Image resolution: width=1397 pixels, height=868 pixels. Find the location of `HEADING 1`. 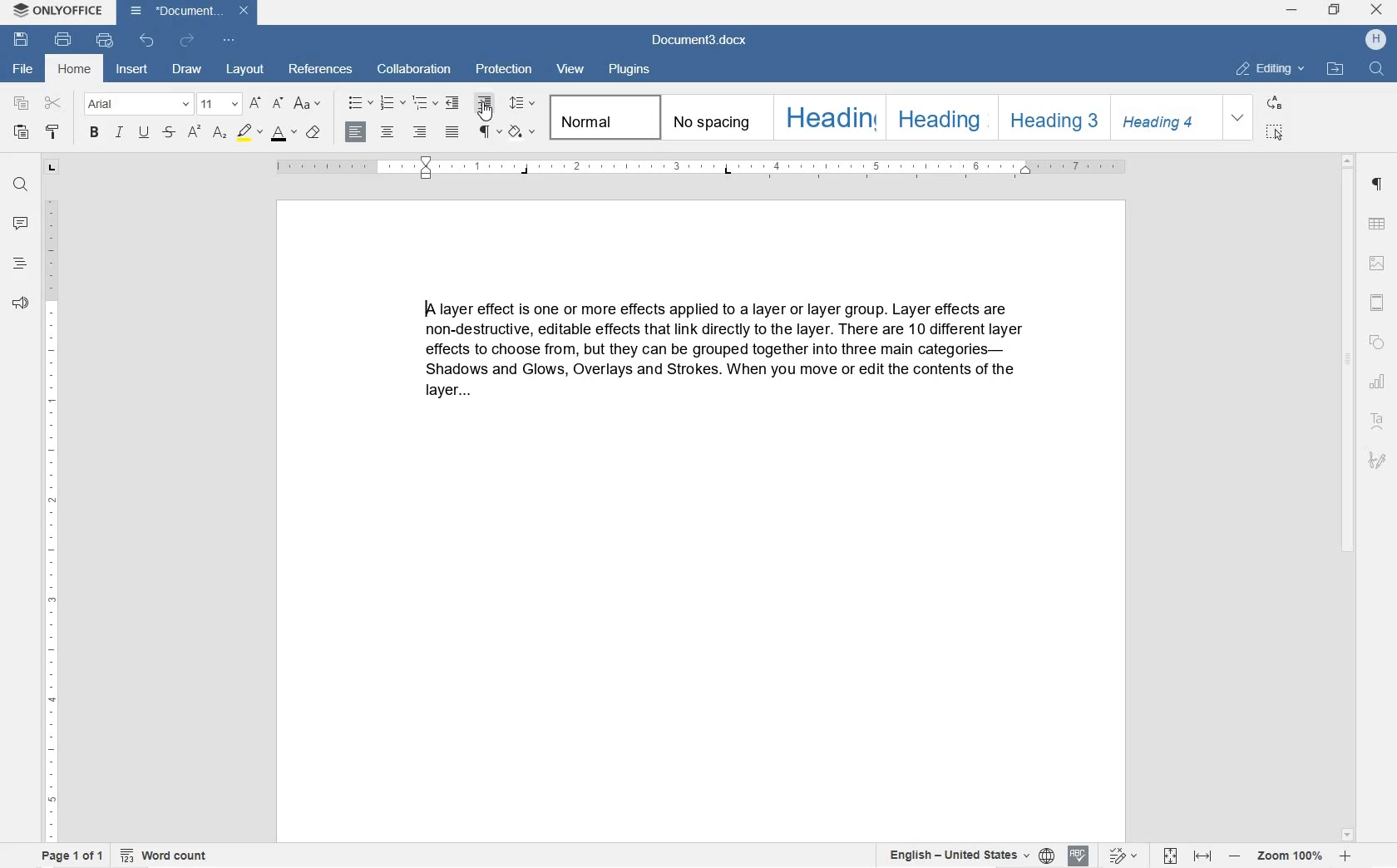

HEADING 1 is located at coordinates (828, 116).